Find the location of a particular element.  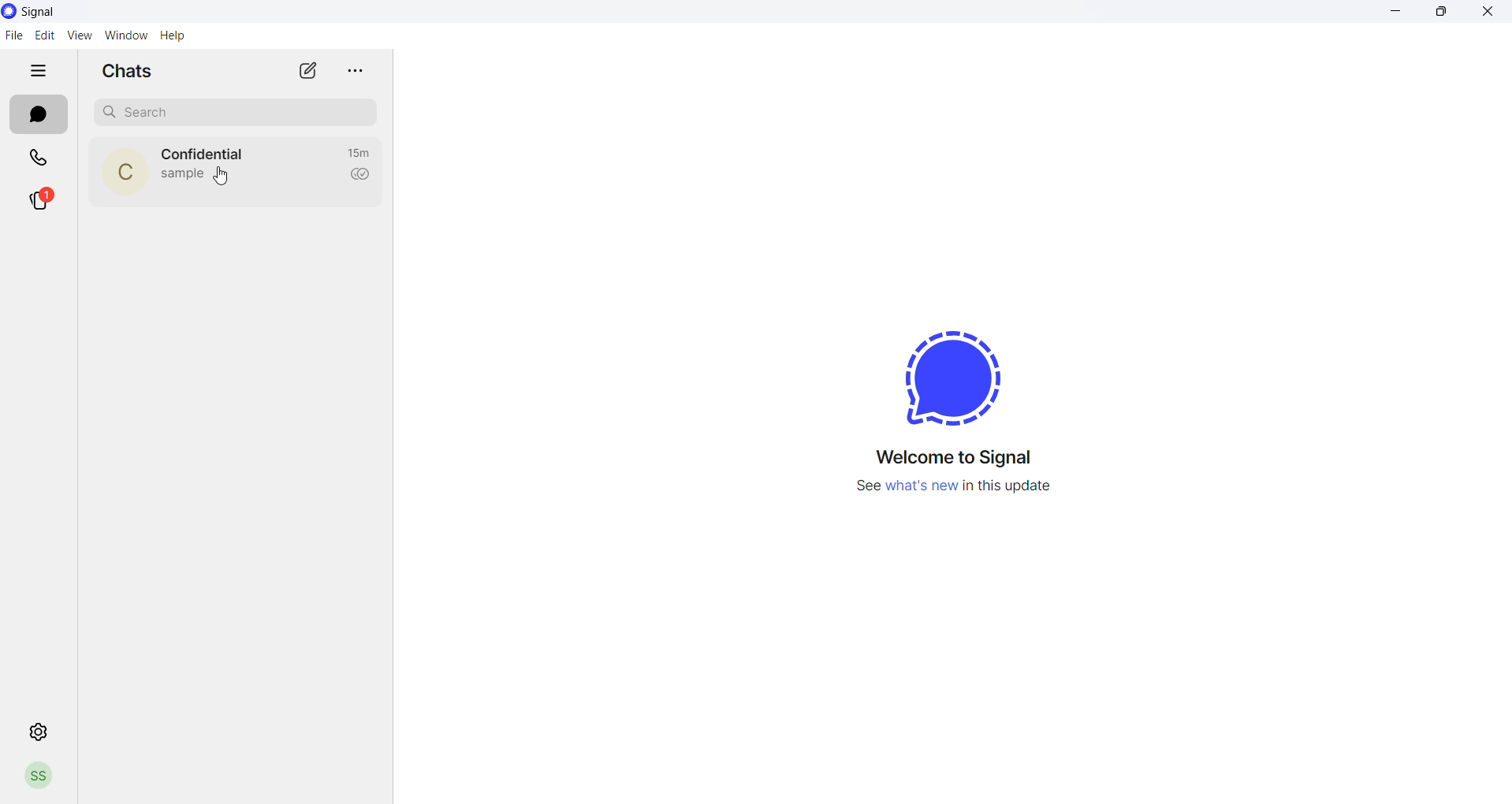

maximize is located at coordinates (1444, 17).